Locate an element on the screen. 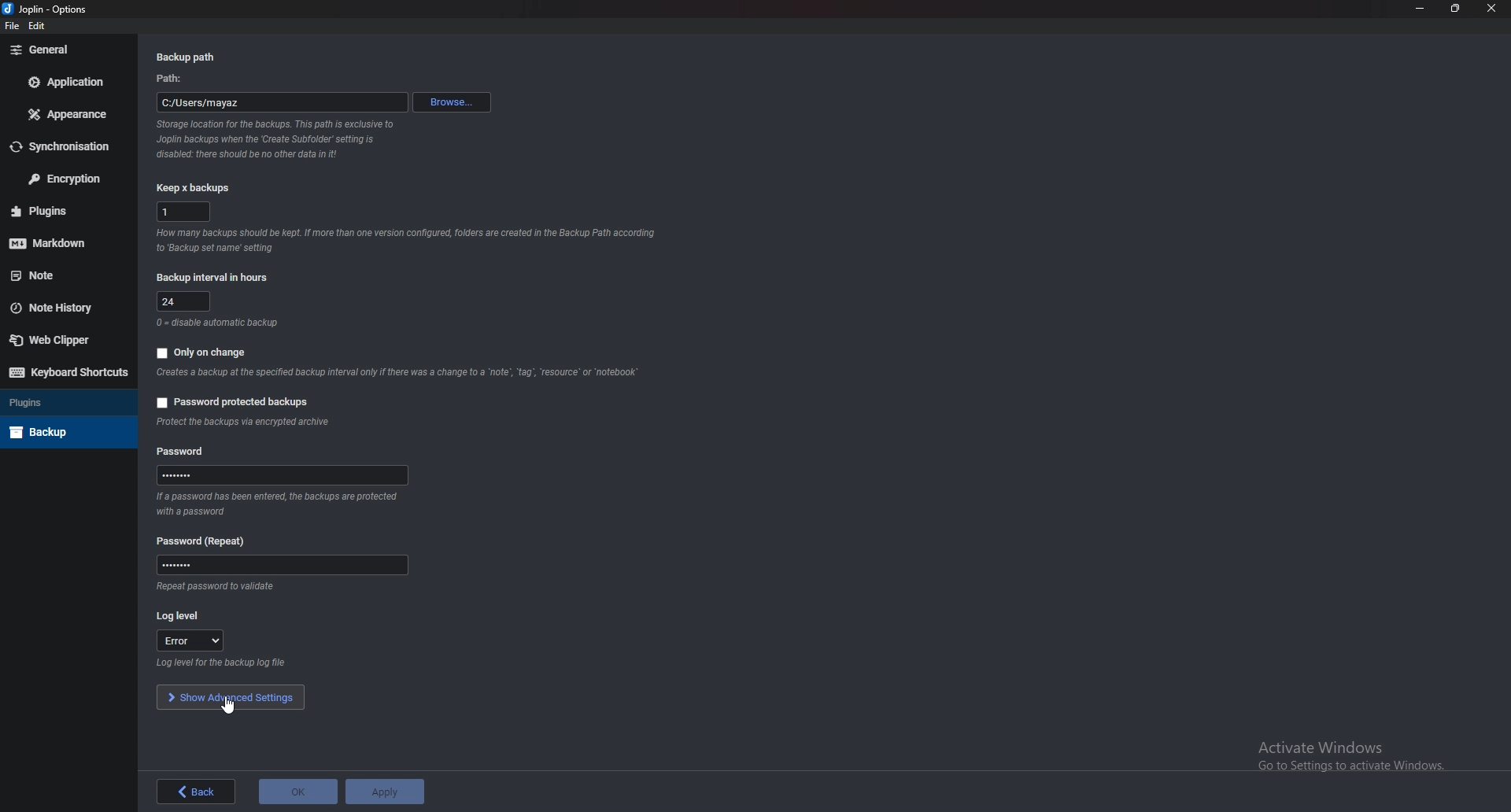  path is located at coordinates (282, 102).